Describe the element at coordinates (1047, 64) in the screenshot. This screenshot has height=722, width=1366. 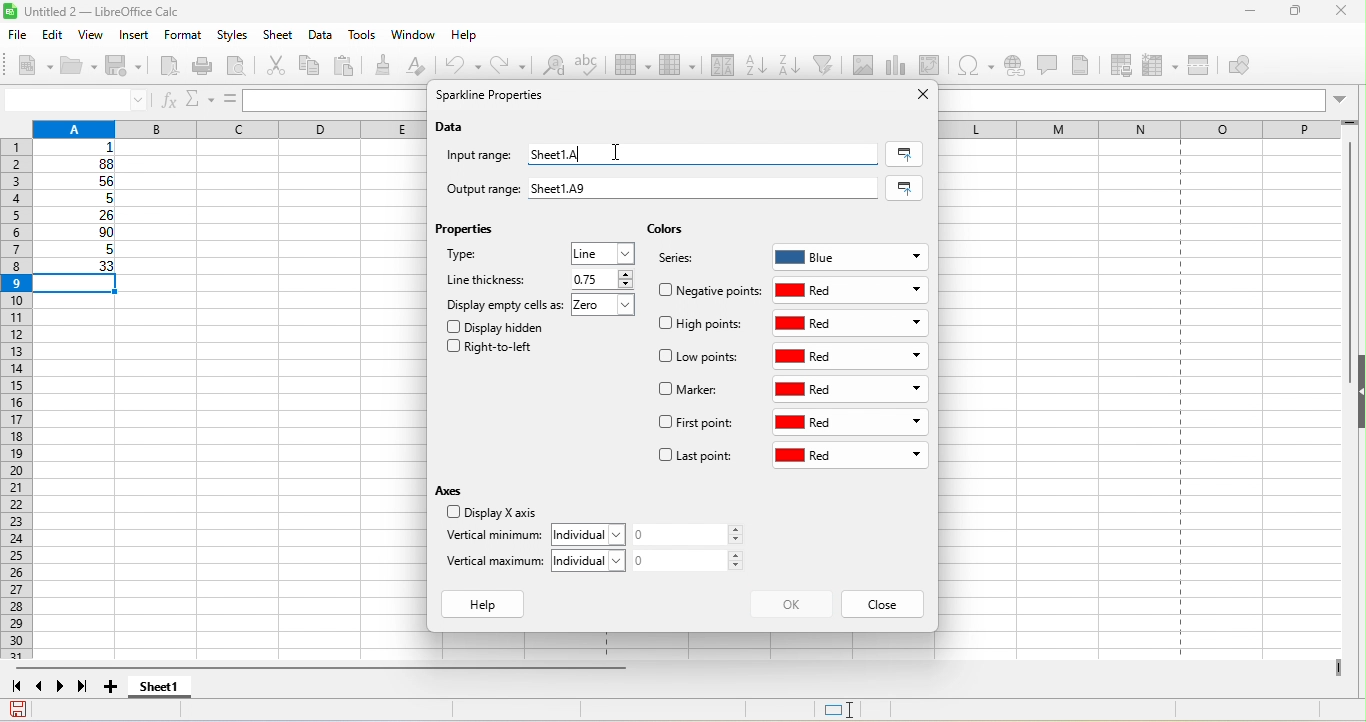
I see `comment` at that location.